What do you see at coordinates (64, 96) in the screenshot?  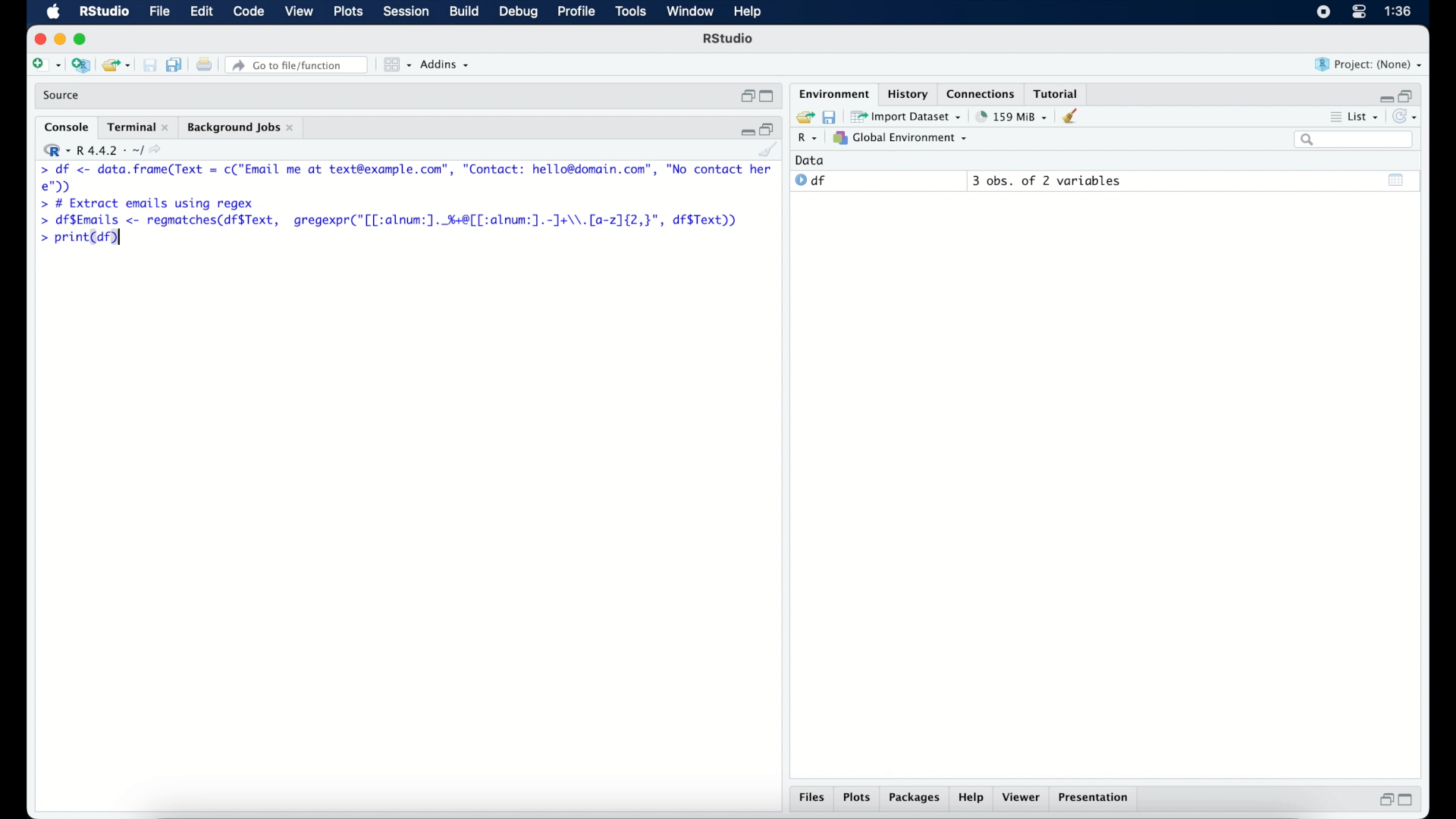 I see `source` at bounding box center [64, 96].